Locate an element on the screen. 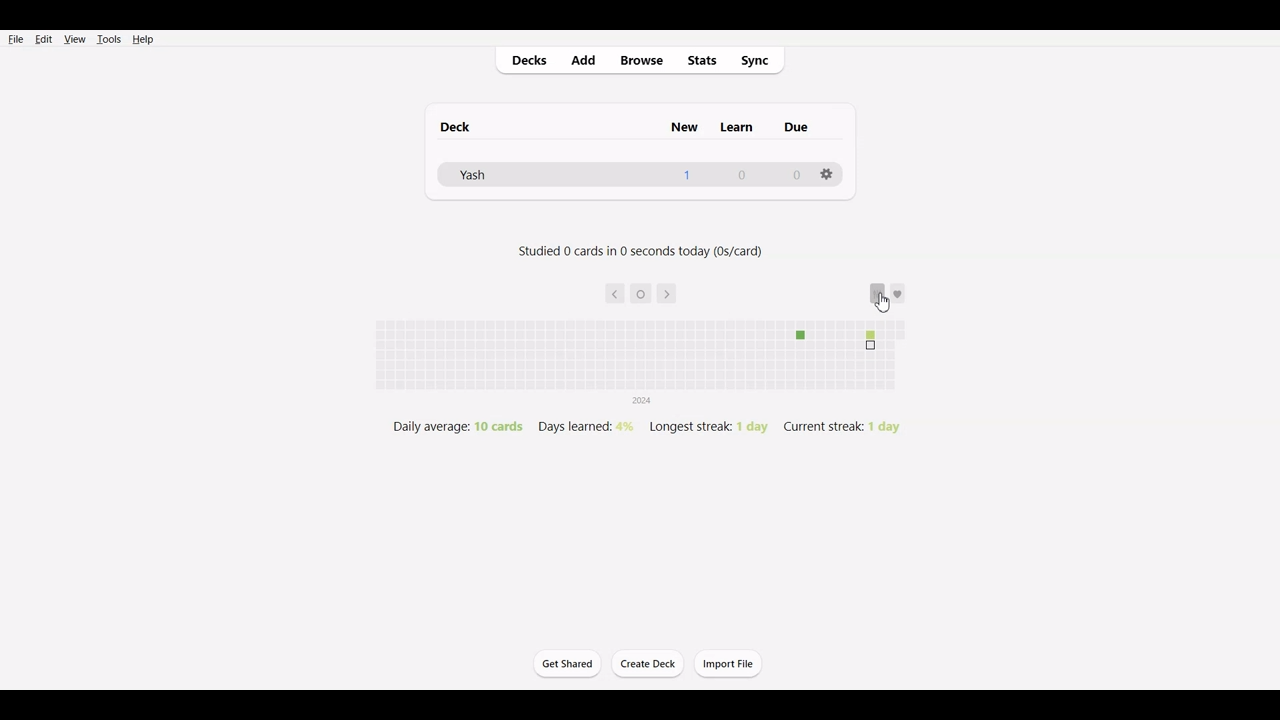 The height and width of the screenshot is (720, 1280). Decks is located at coordinates (525, 61).